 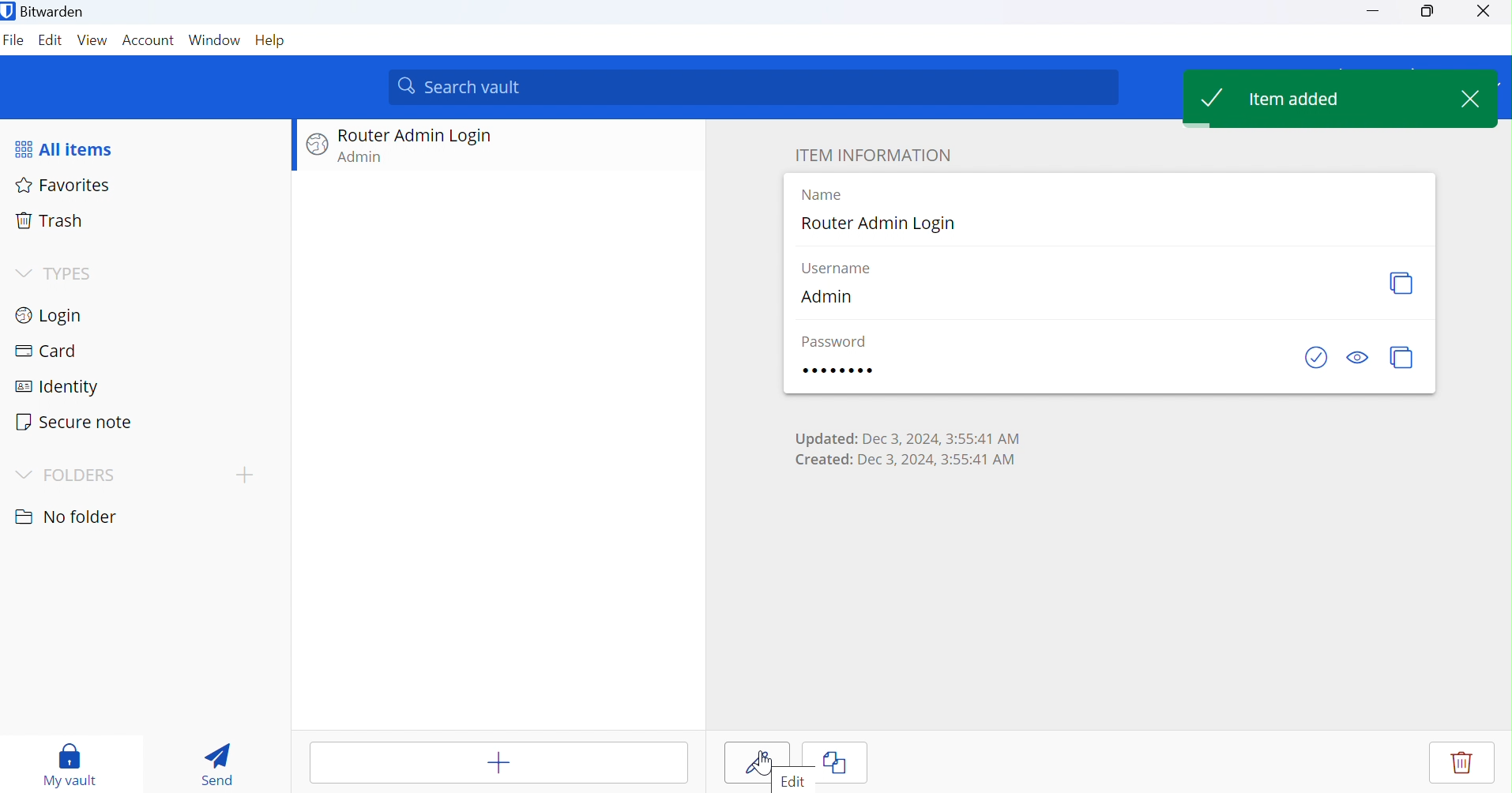 I want to click on Card, so click(x=47, y=352).